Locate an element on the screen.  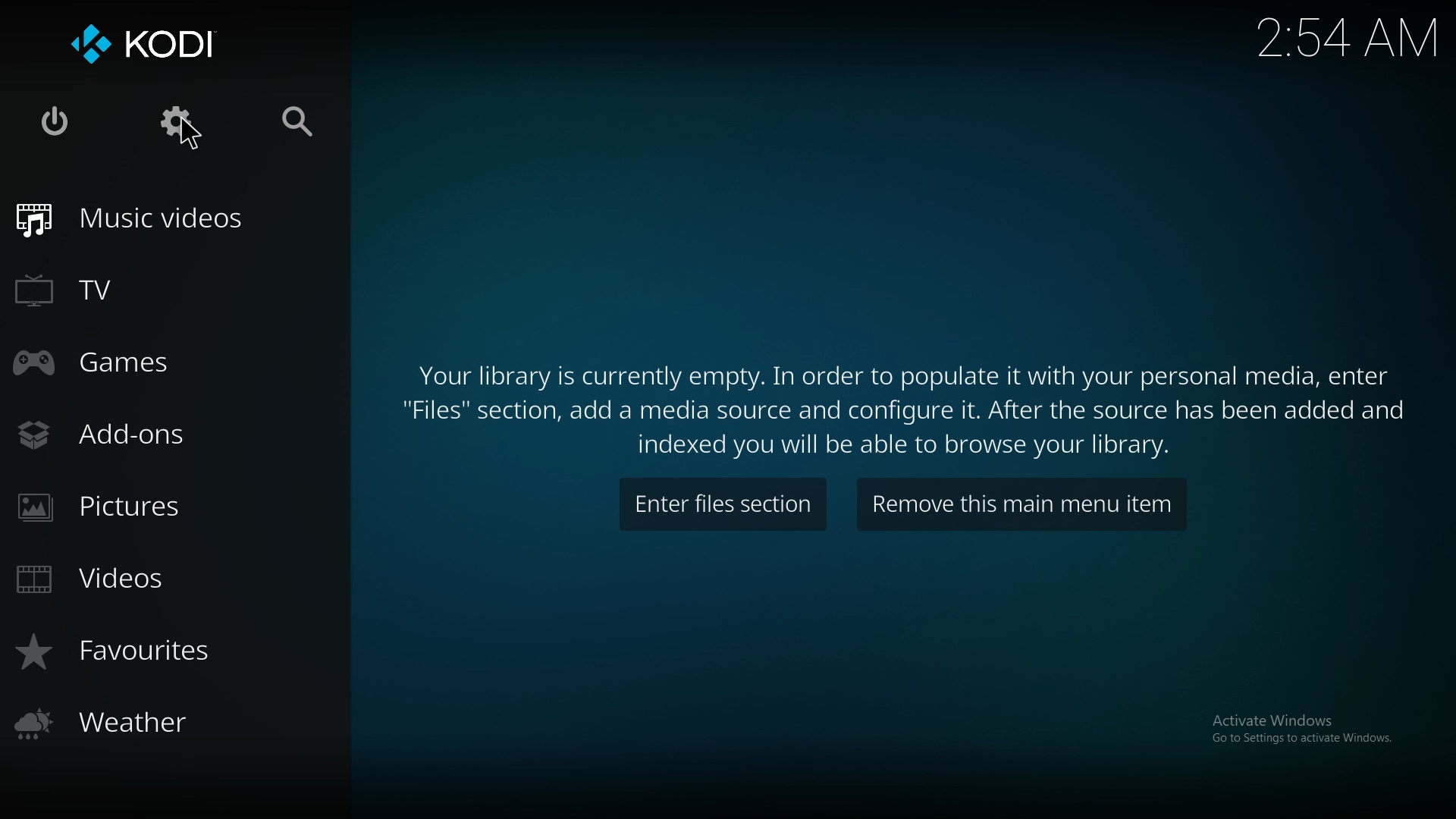
search is located at coordinates (296, 124).